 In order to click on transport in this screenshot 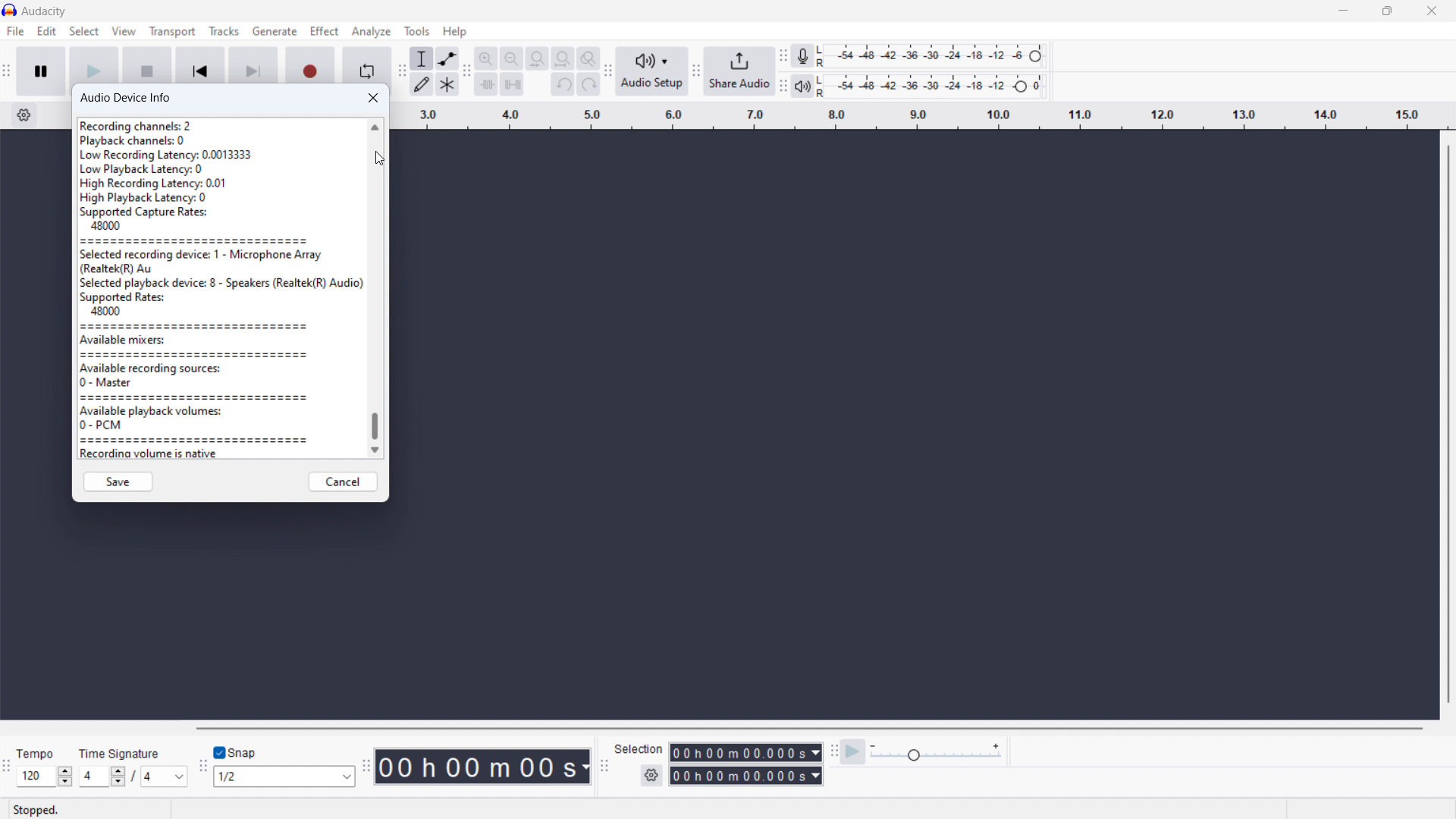, I will do `click(172, 31)`.